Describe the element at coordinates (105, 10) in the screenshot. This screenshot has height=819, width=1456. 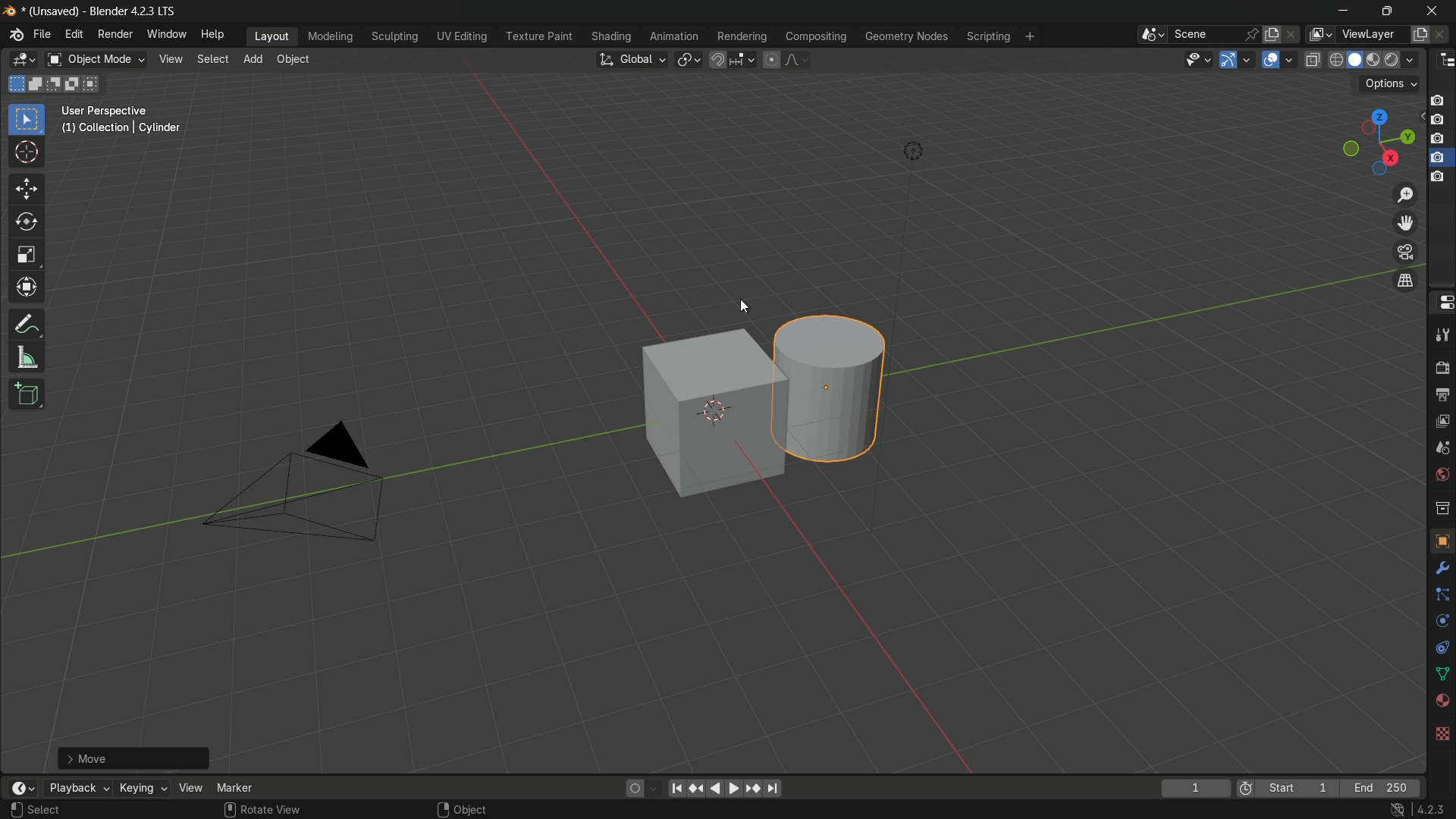
I see `unsaved blender 4.2.3 lts` at that location.